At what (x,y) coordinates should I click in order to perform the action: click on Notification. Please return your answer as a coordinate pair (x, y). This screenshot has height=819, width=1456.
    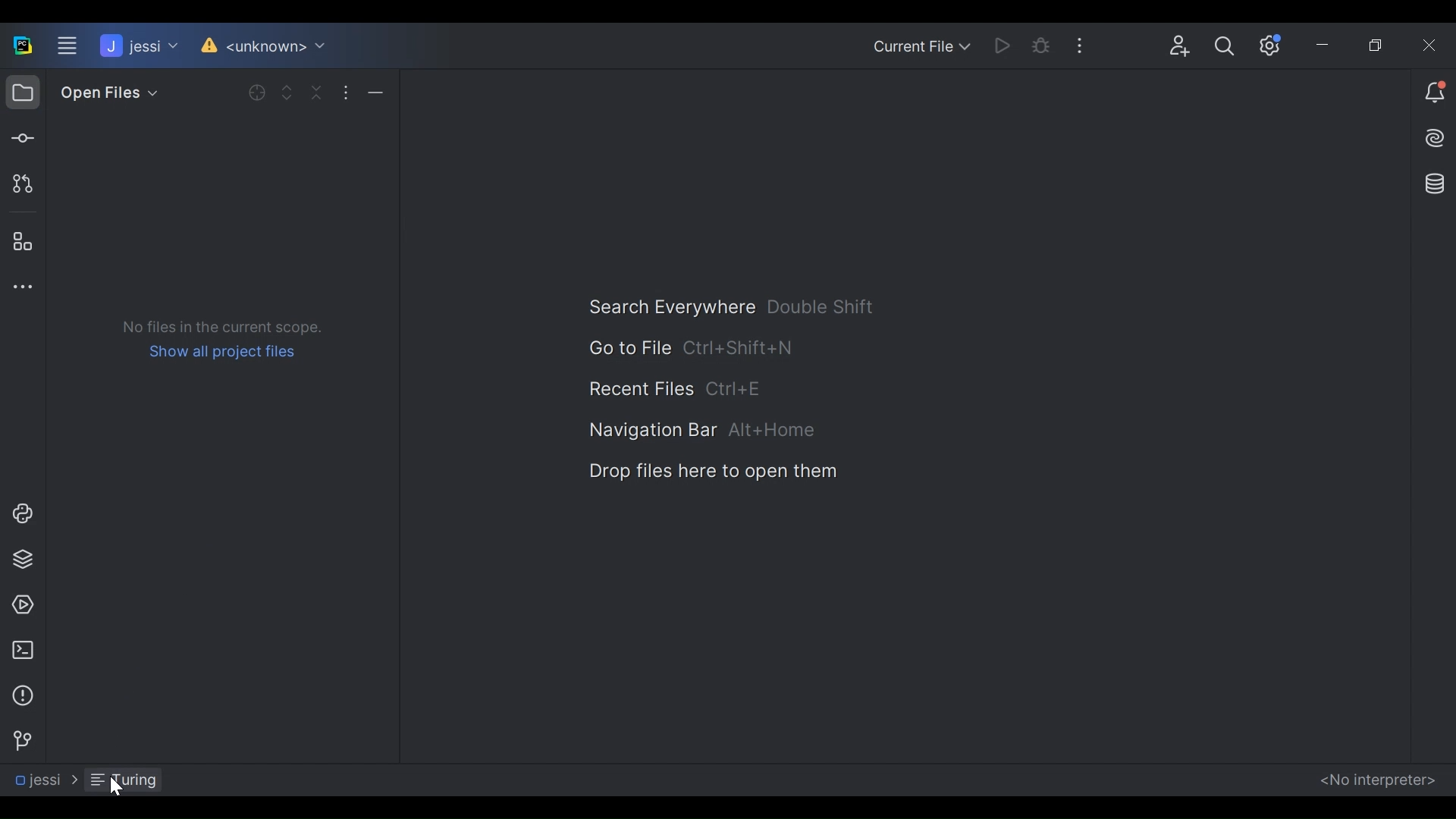
    Looking at the image, I should click on (1436, 93).